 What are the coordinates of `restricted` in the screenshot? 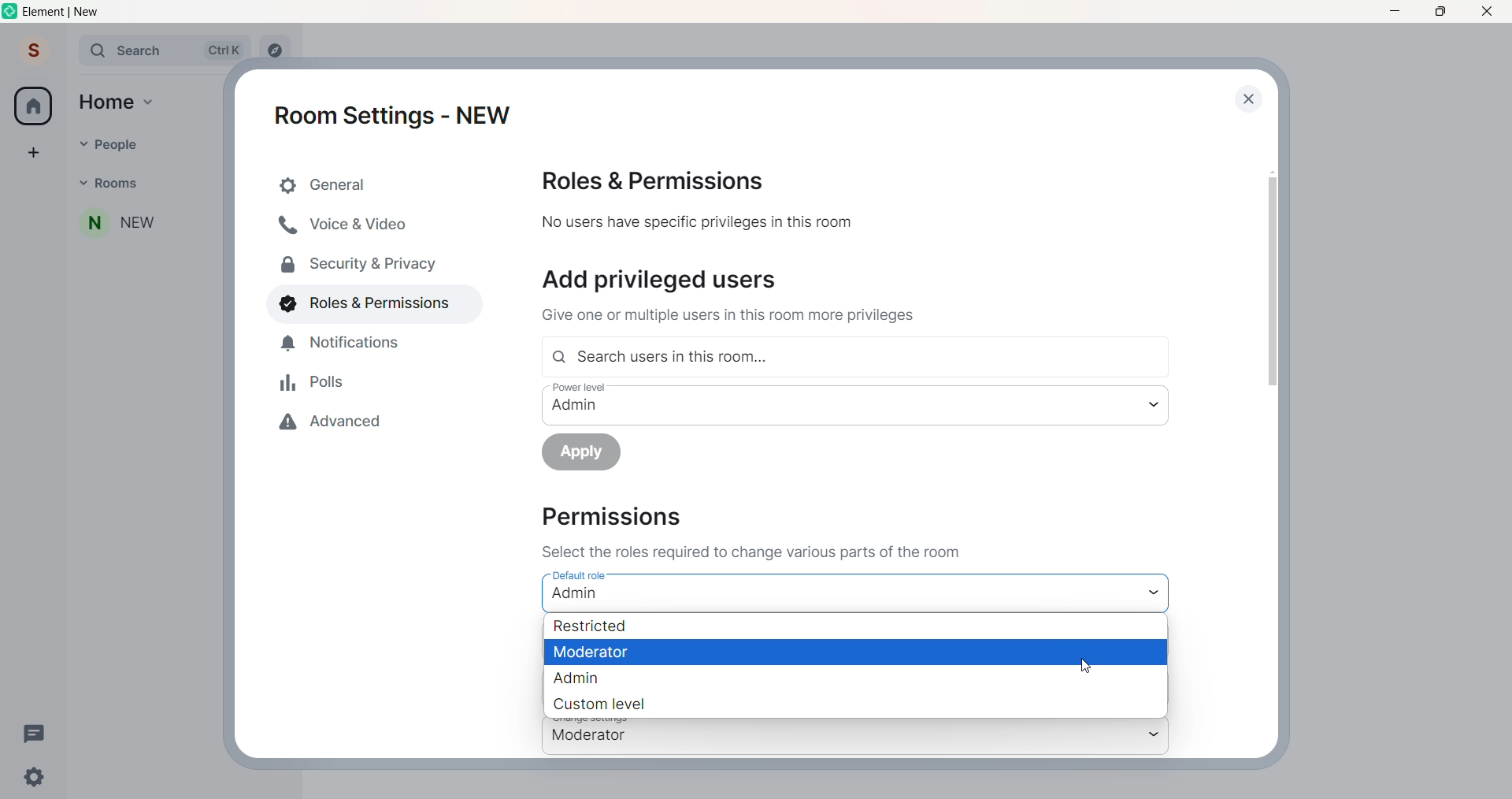 It's located at (602, 627).